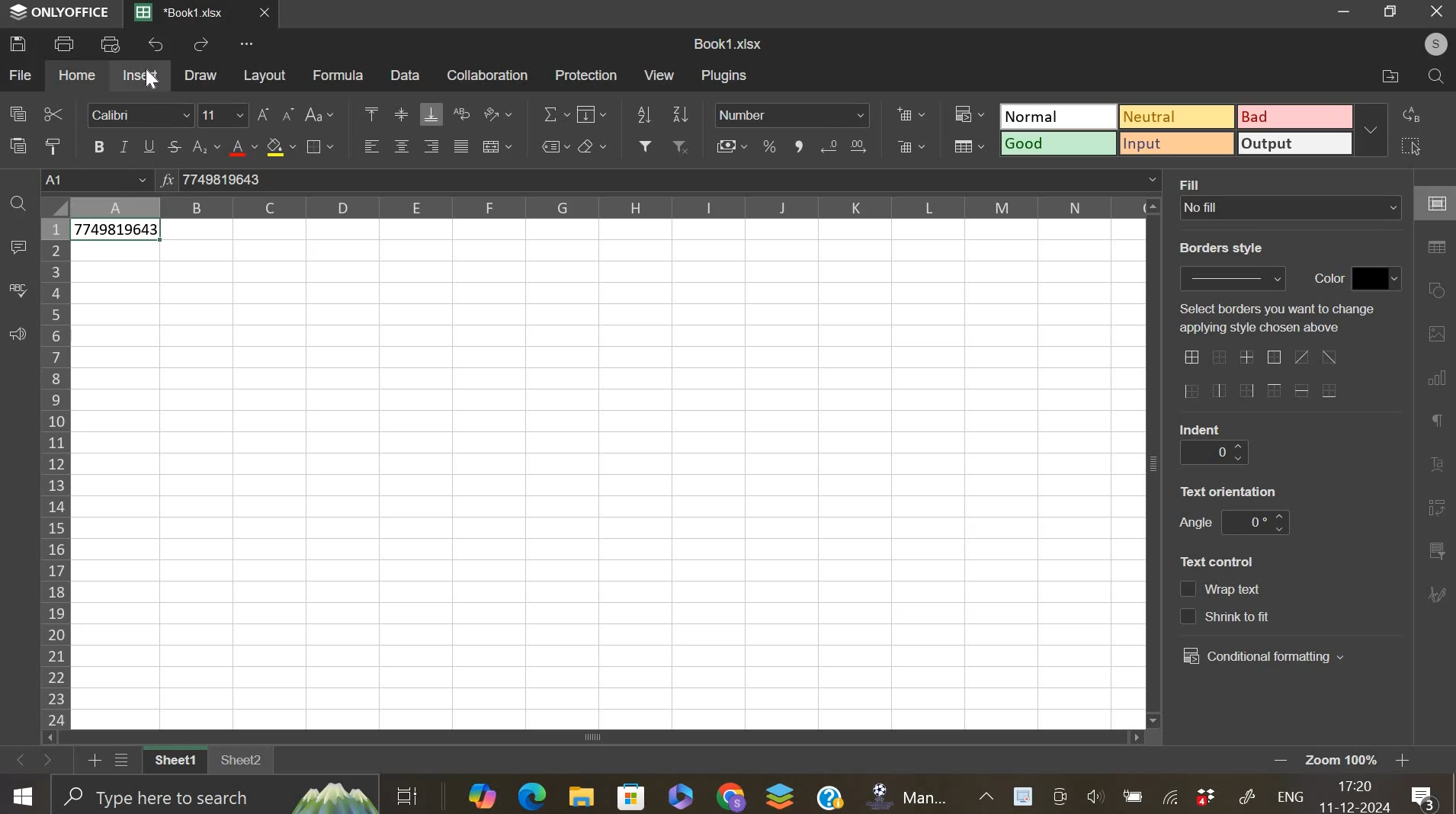  I want to click on marking, so click(1193, 129).